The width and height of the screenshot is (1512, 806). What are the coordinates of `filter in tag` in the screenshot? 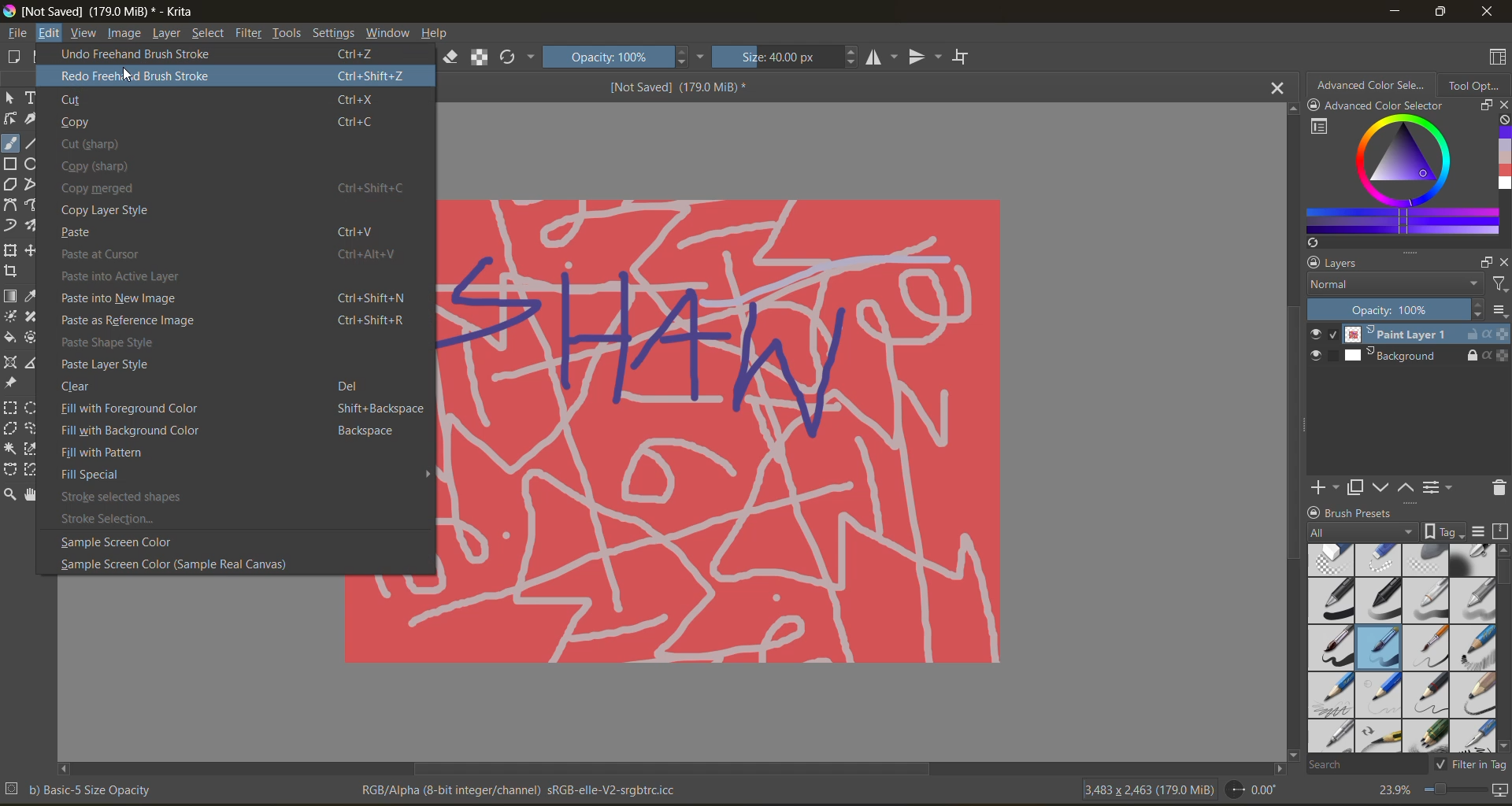 It's located at (1473, 765).